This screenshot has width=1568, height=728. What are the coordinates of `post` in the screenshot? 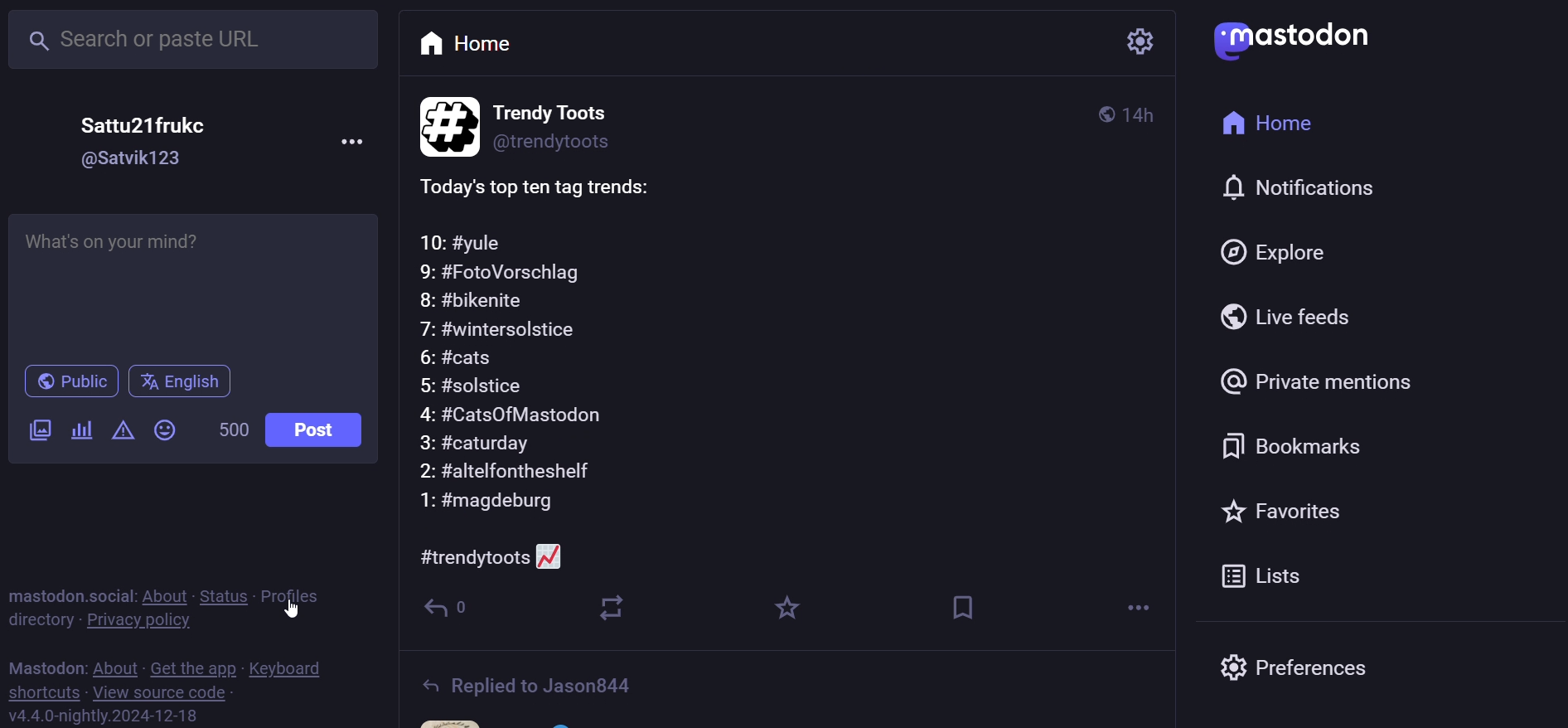 It's located at (321, 434).